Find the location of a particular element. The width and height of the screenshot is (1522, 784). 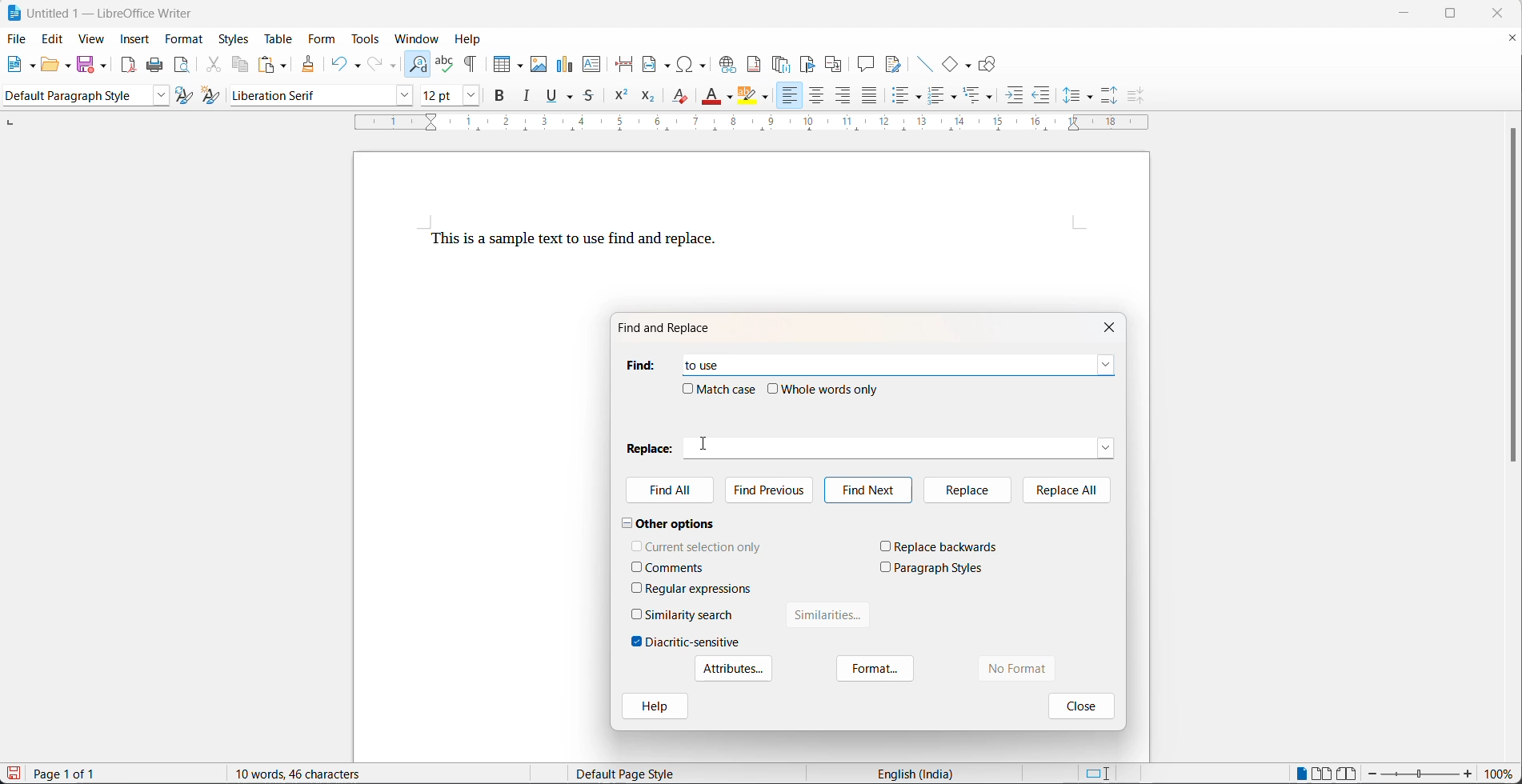

copy is located at coordinates (242, 64).